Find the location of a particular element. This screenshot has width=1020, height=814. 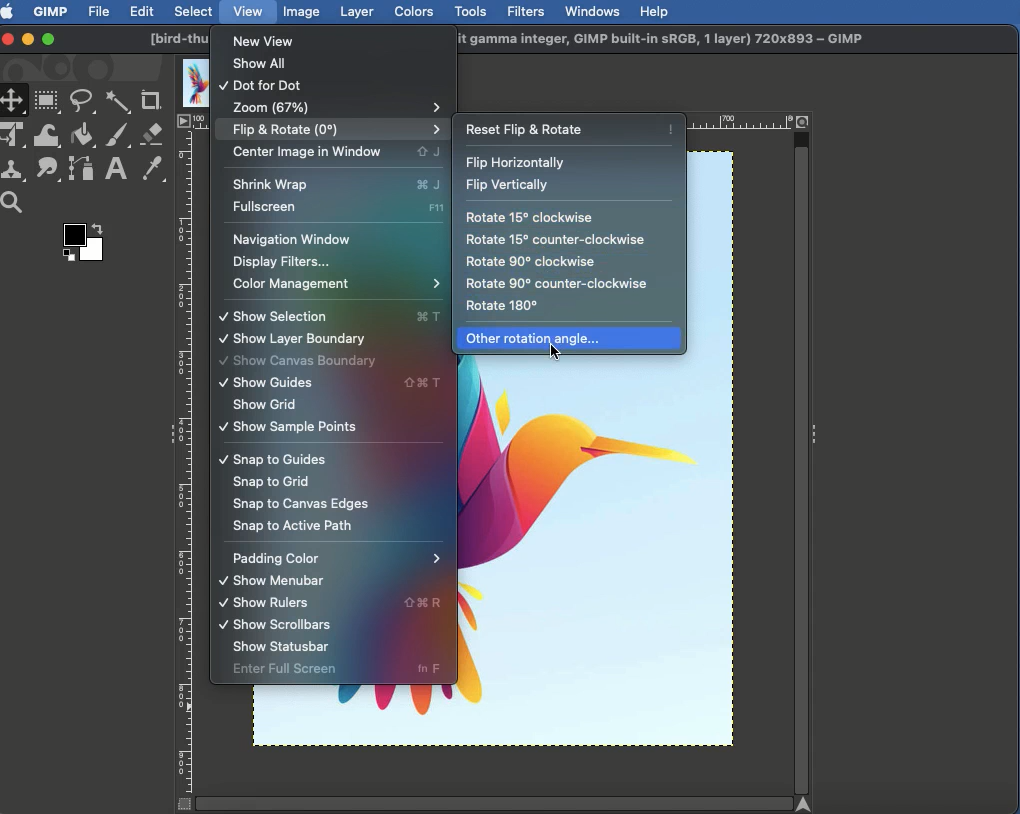

Dot for dot is located at coordinates (265, 87).